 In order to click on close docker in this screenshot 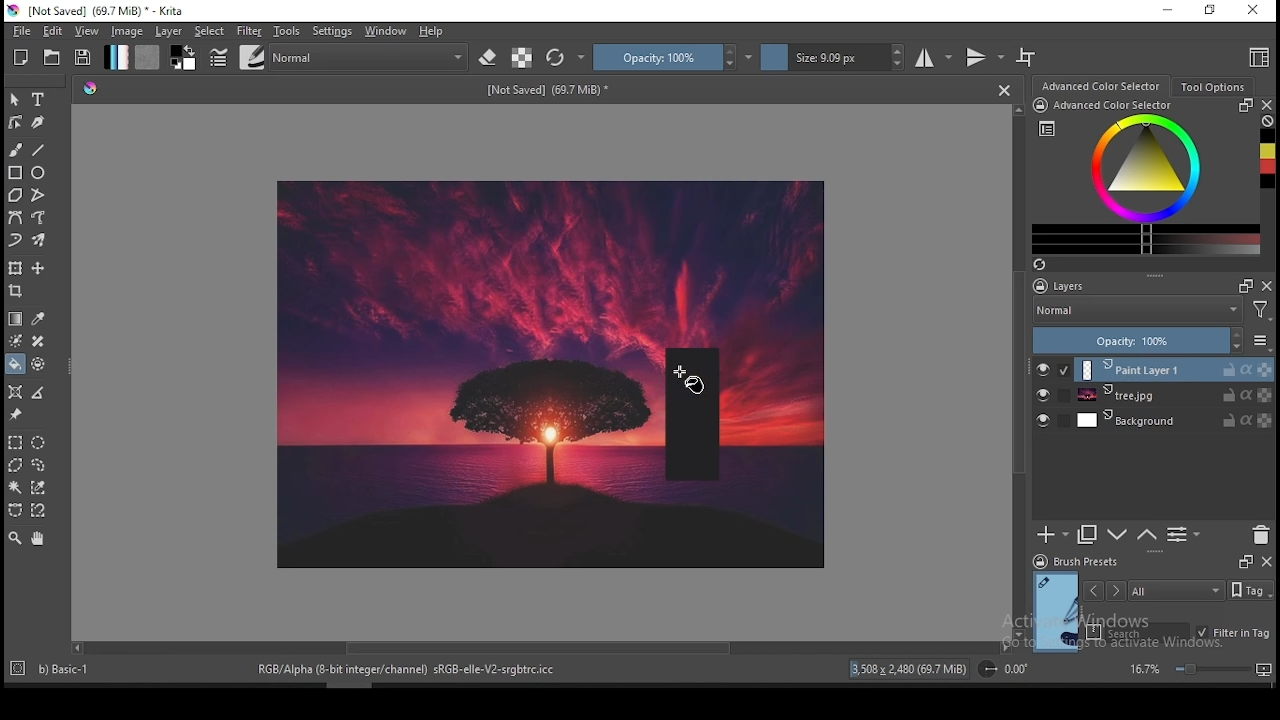, I will do `click(1266, 562)`.